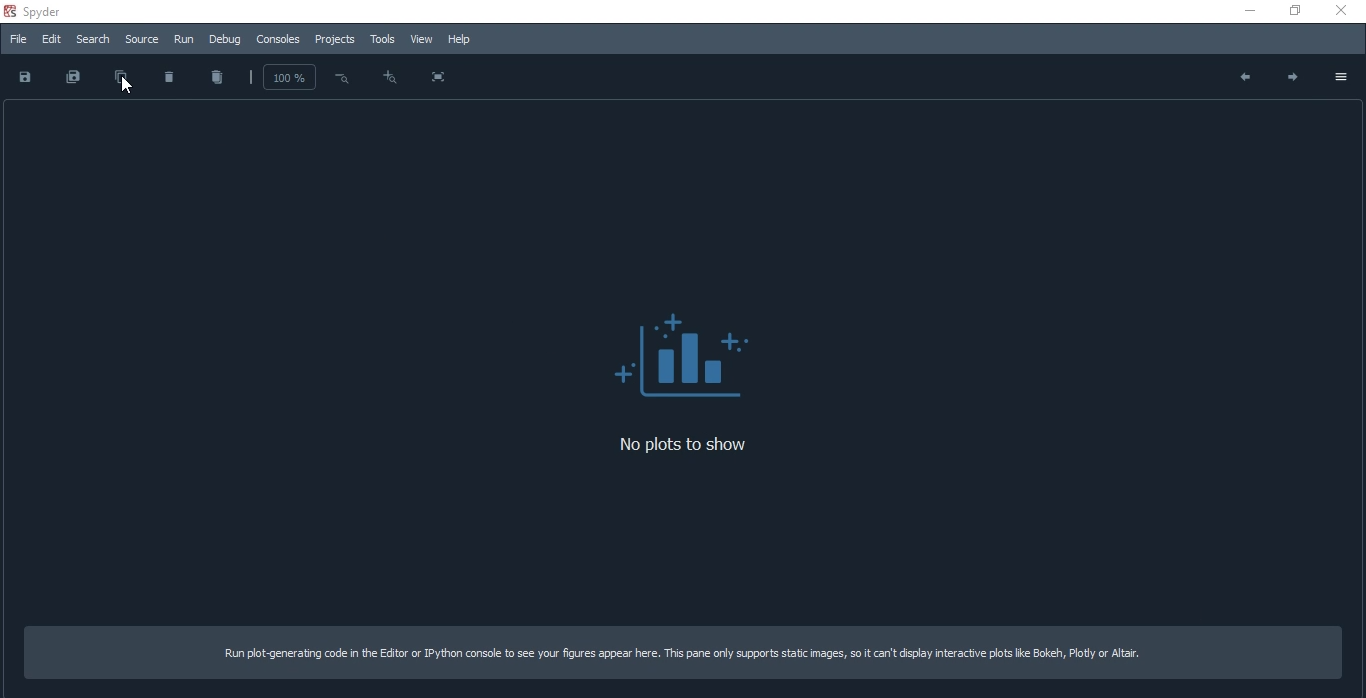 The height and width of the screenshot is (698, 1366). I want to click on Debug, so click(224, 41).